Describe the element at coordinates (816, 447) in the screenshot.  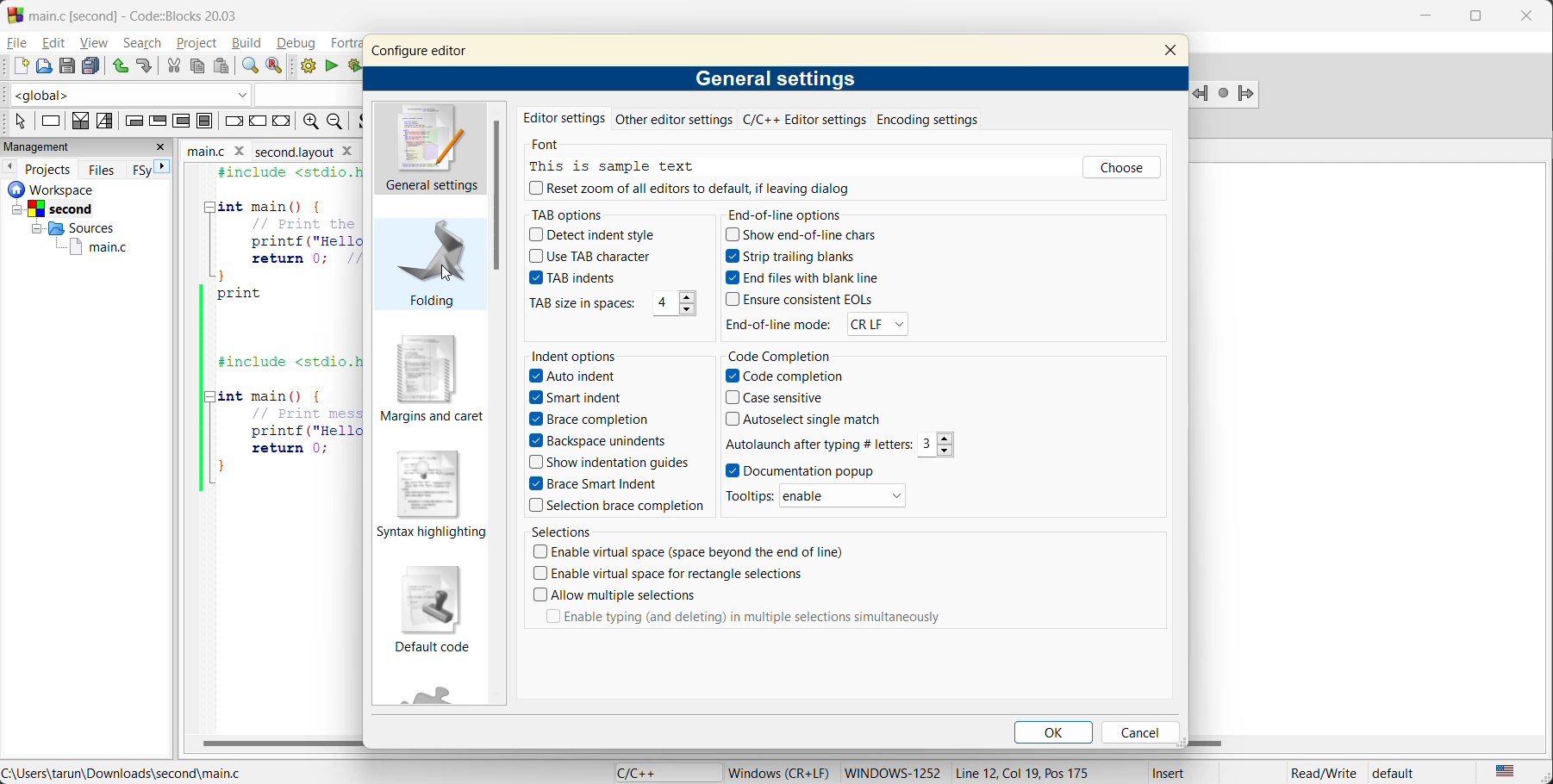
I see `Autolaunch after typing # letters` at that location.